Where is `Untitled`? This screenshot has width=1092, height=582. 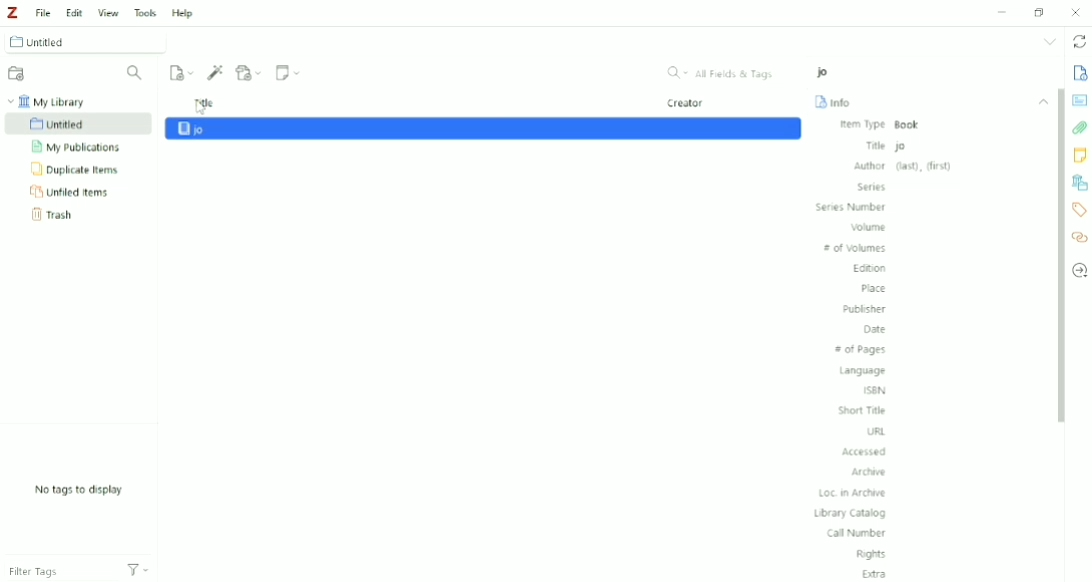
Untitled is located at coordinates (79, 125).